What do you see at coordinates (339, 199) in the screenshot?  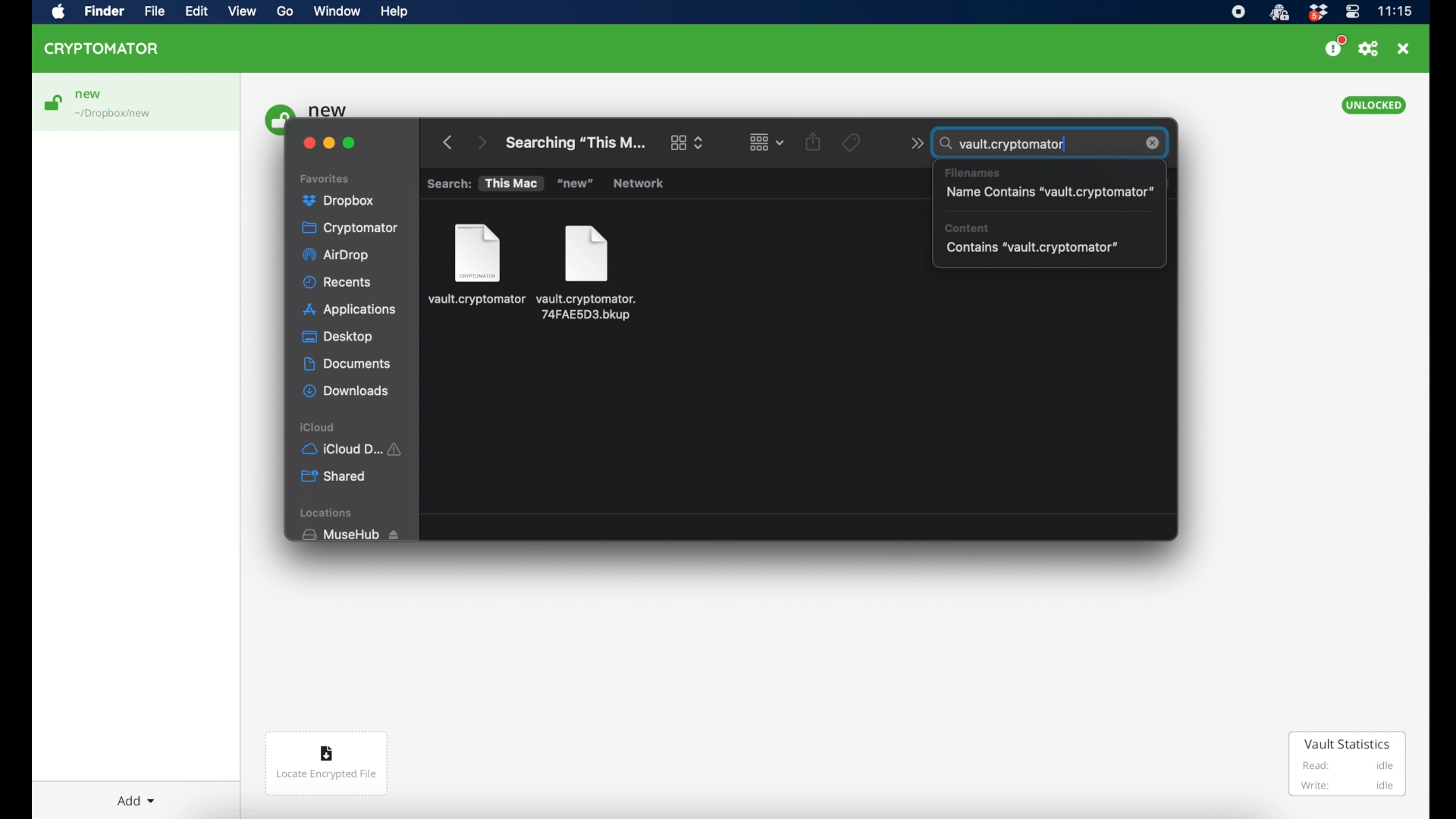 I see `dropbox` at bounding box center [339, 199].